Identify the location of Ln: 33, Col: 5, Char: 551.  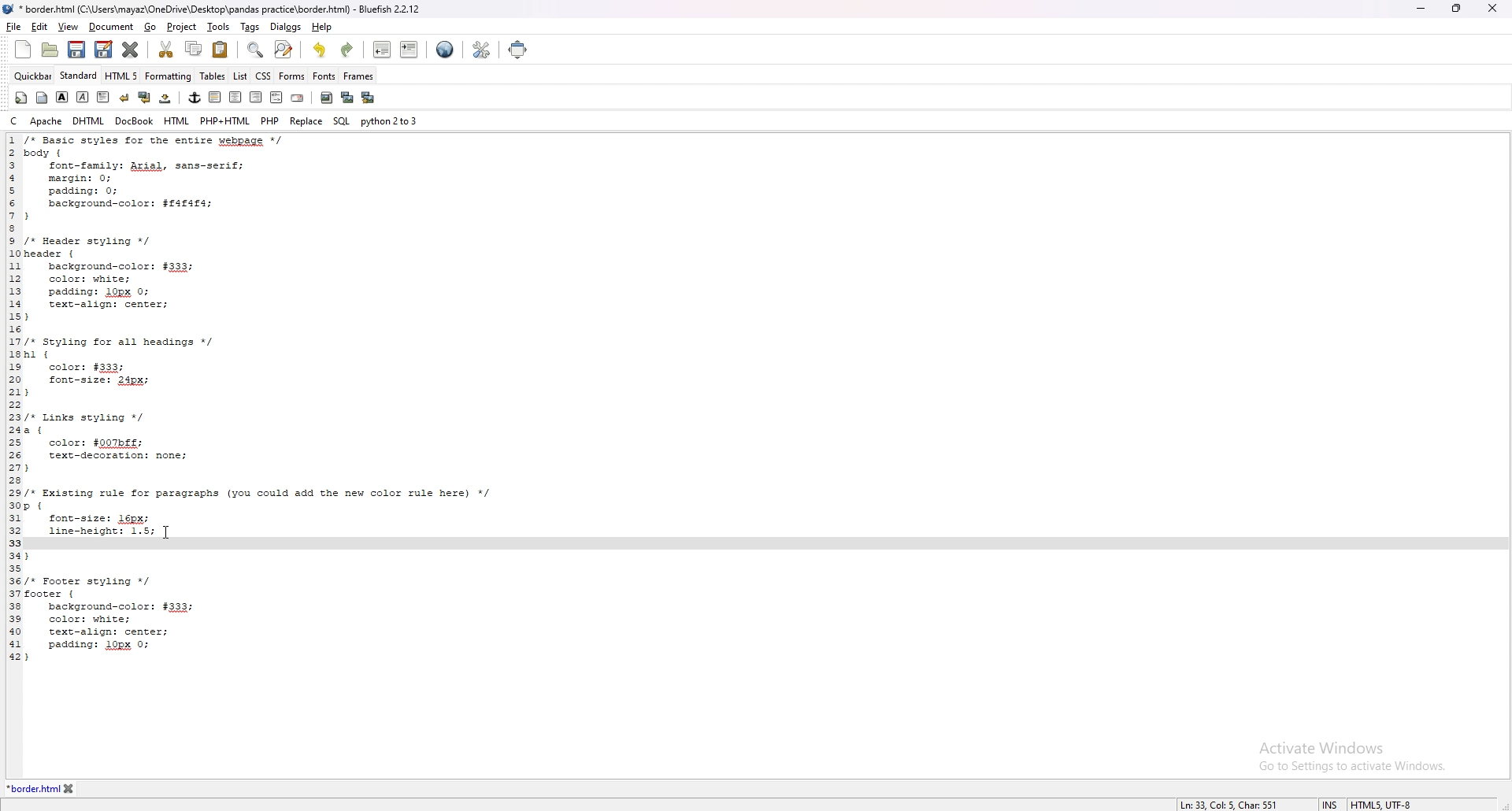
(1228, 799).